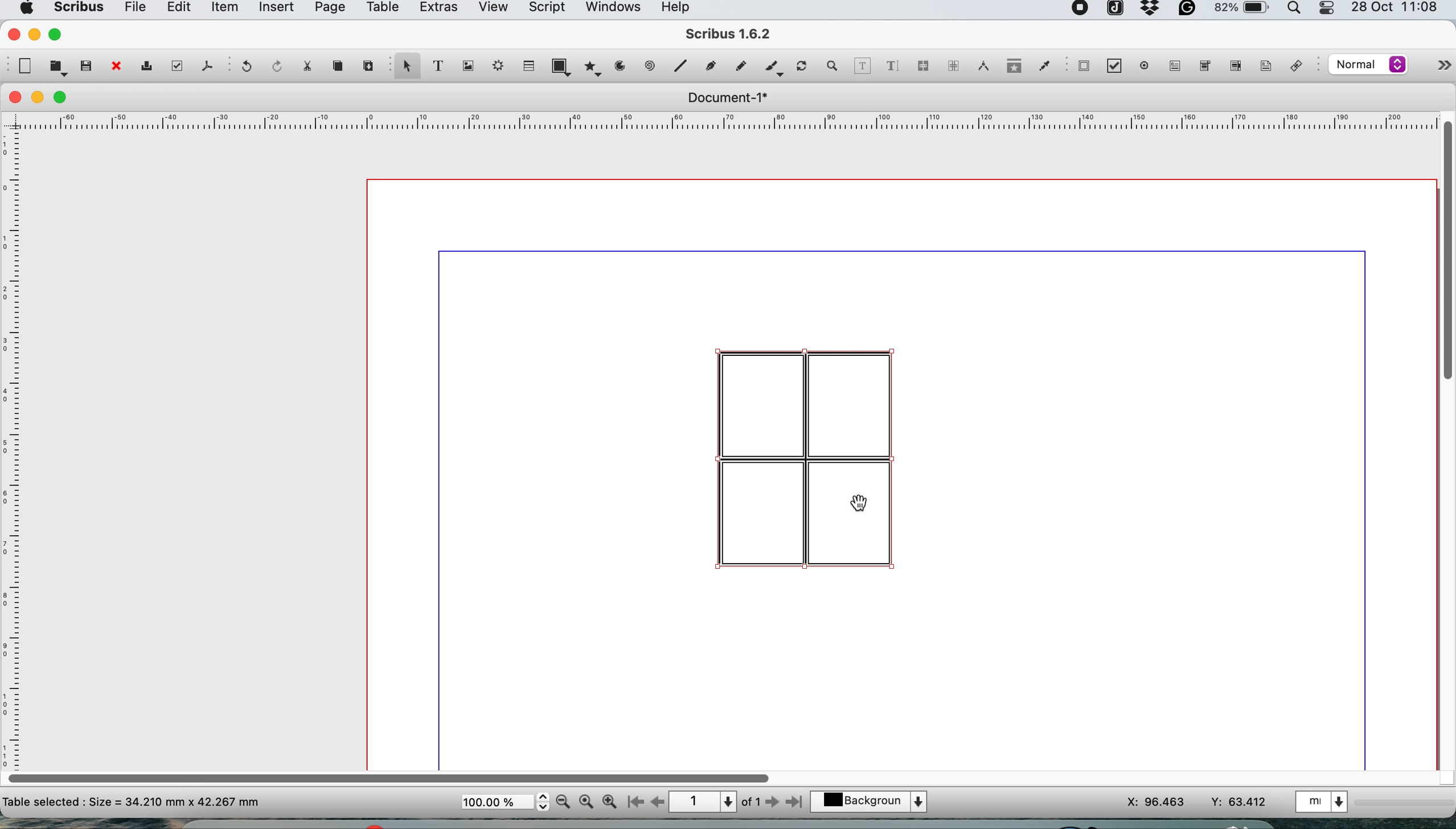 This screenshot has height=829, width=1456. I want to click on image frame, so click(466, 66).